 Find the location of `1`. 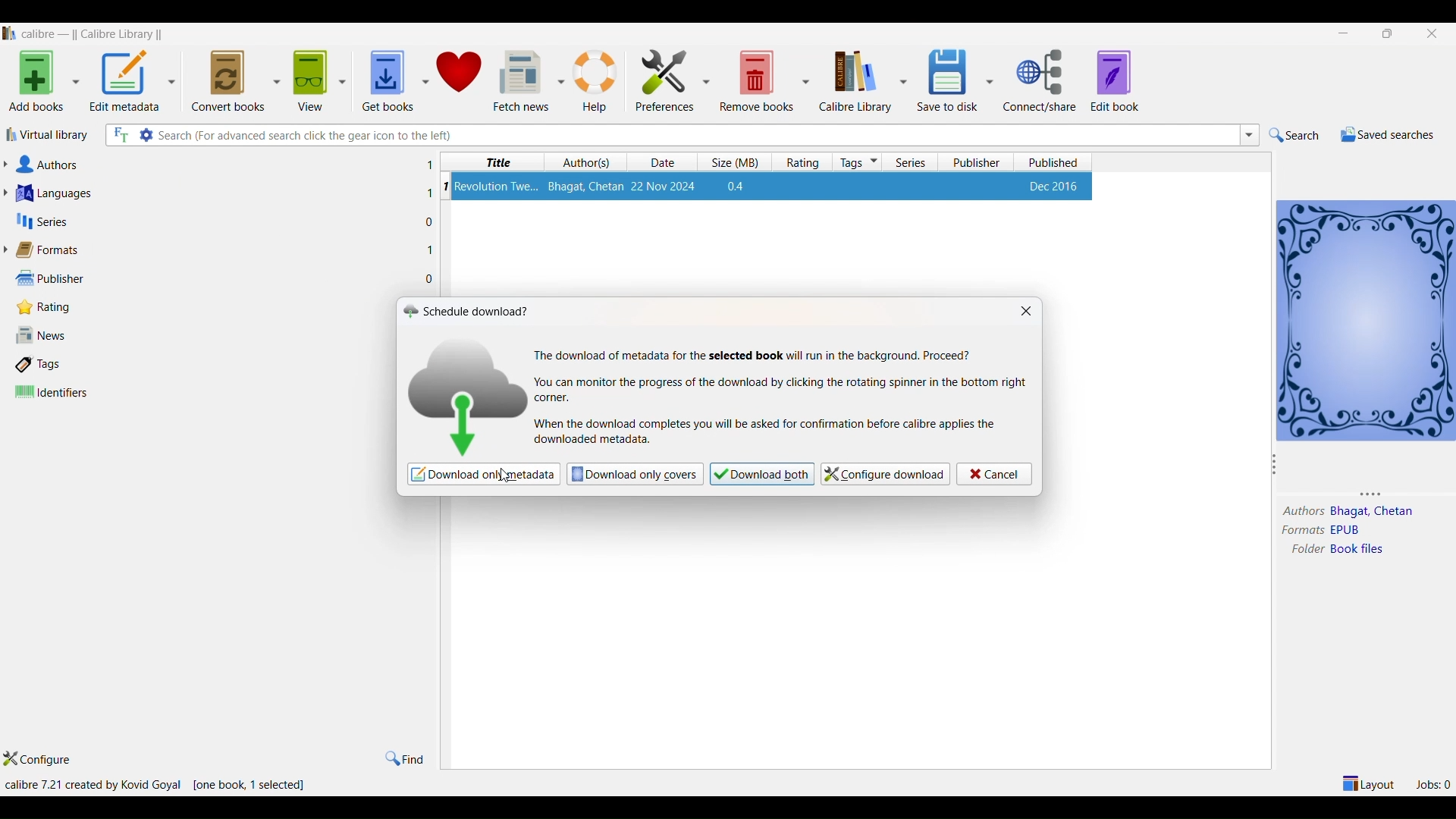

1 is located at coordinates (431, 250).